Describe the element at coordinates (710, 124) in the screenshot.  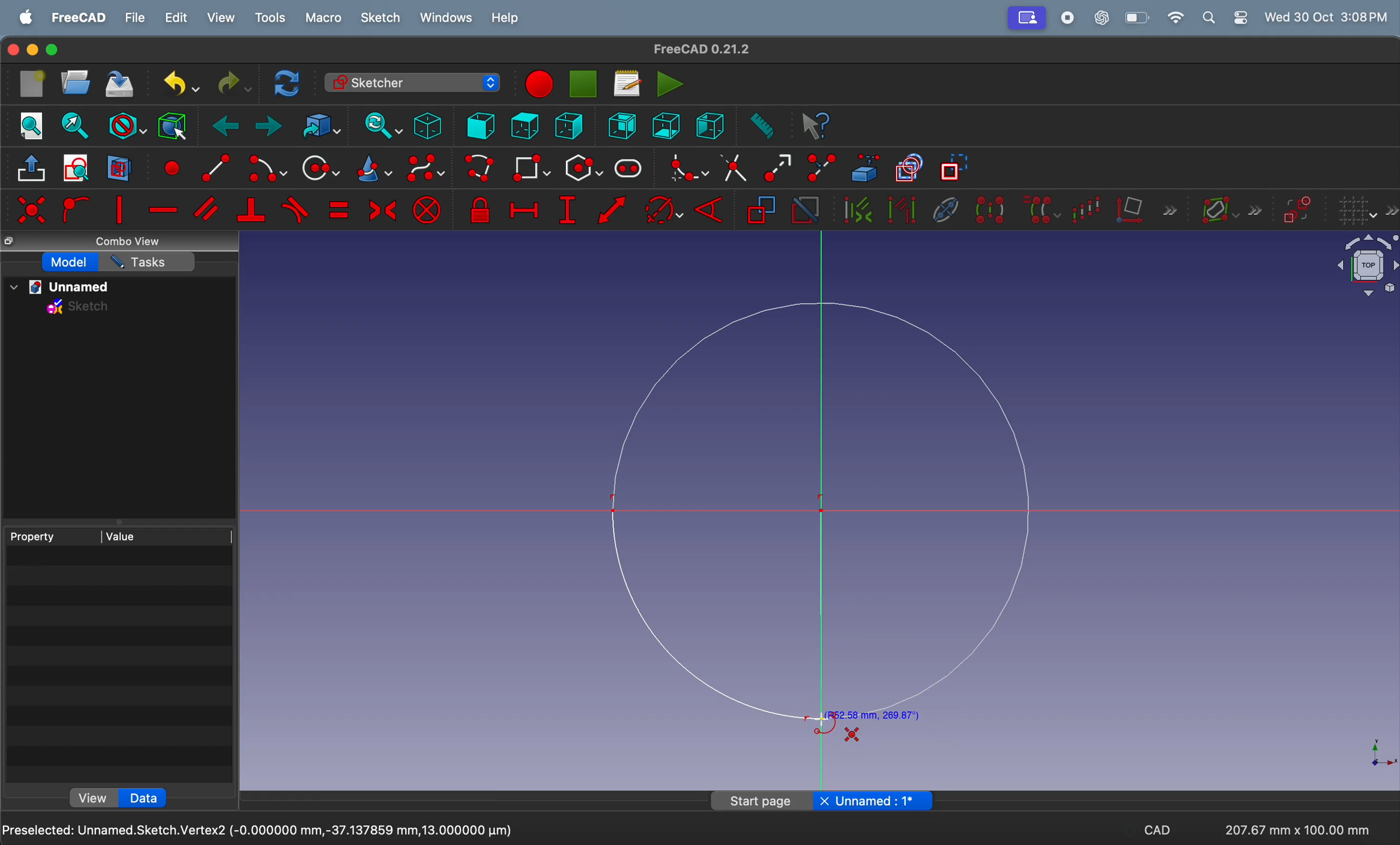
I see `right view` at that location.